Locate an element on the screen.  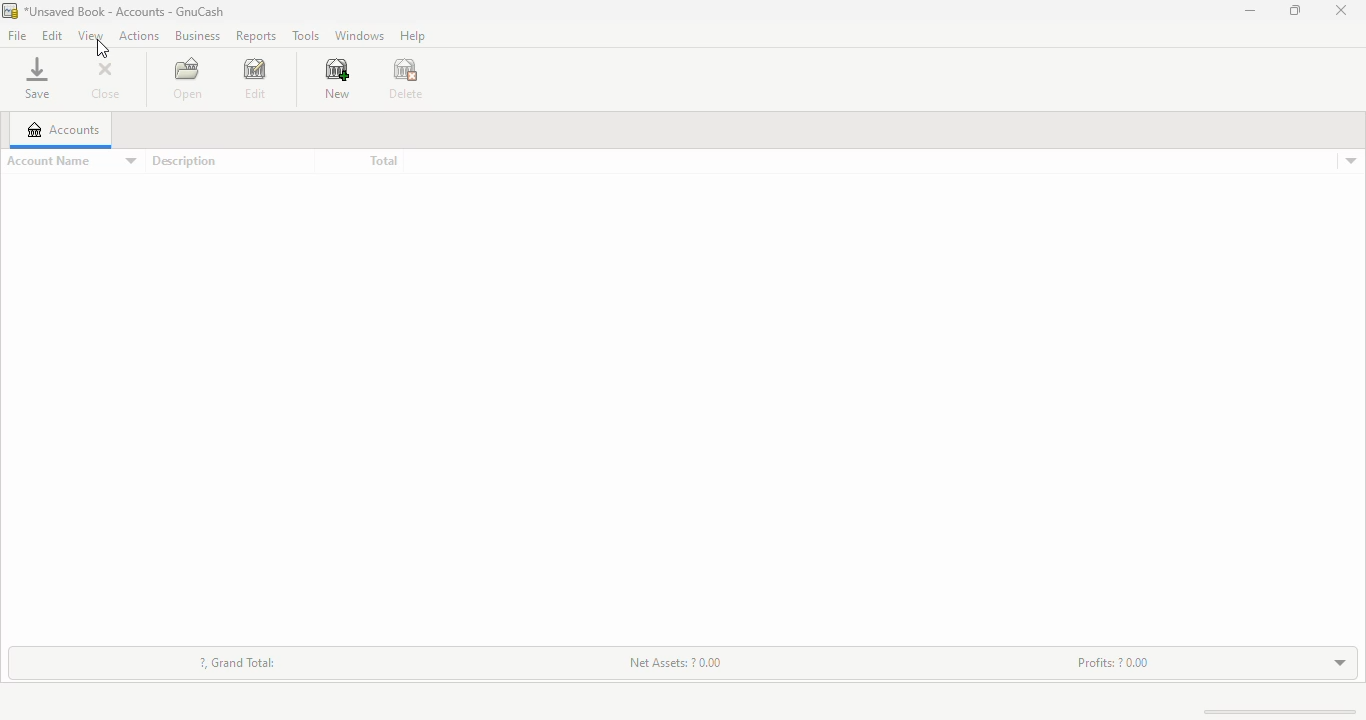
maximize is located at coordinates (1295, 10).